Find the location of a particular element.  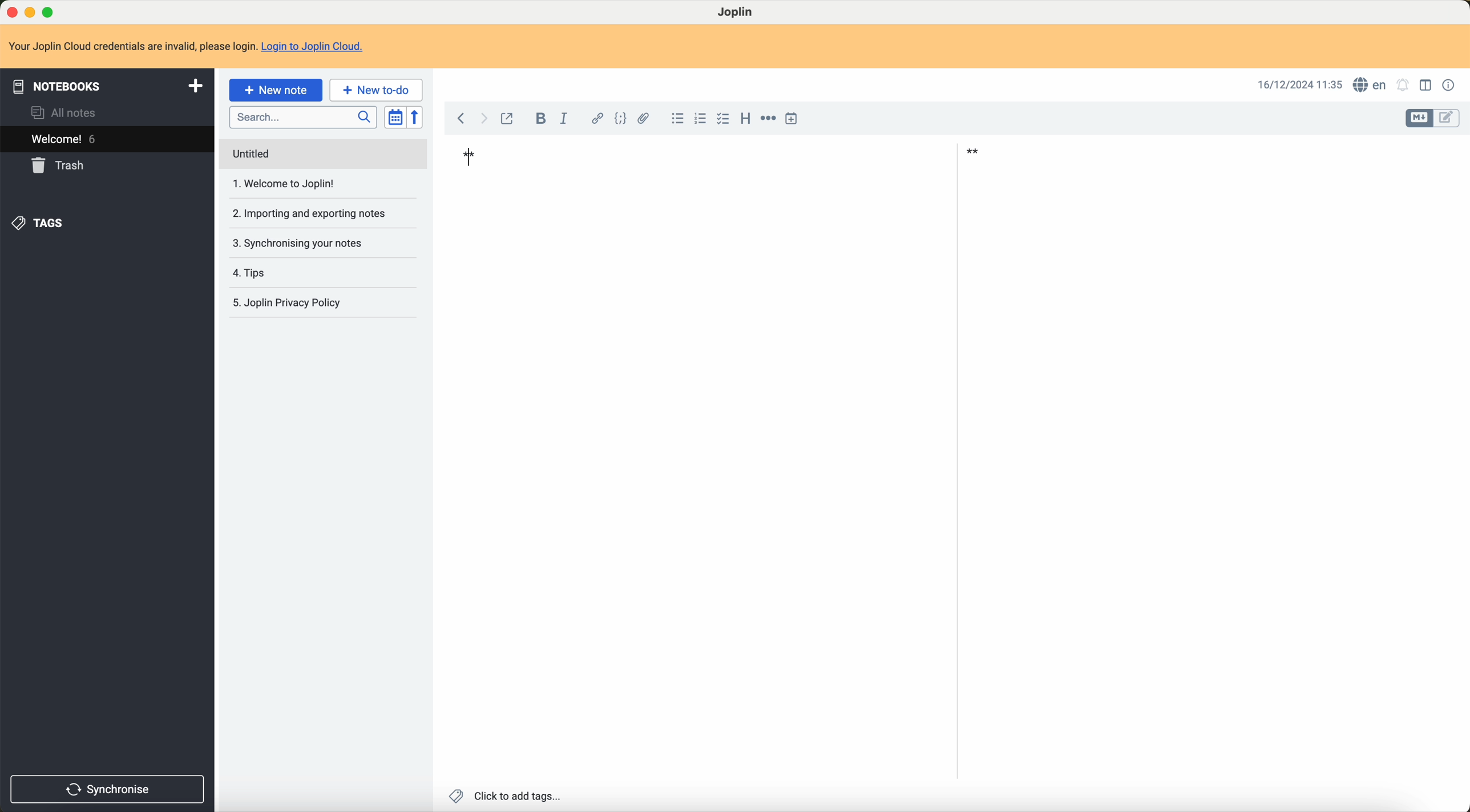

numbered list is located at coordinates (701, 120).